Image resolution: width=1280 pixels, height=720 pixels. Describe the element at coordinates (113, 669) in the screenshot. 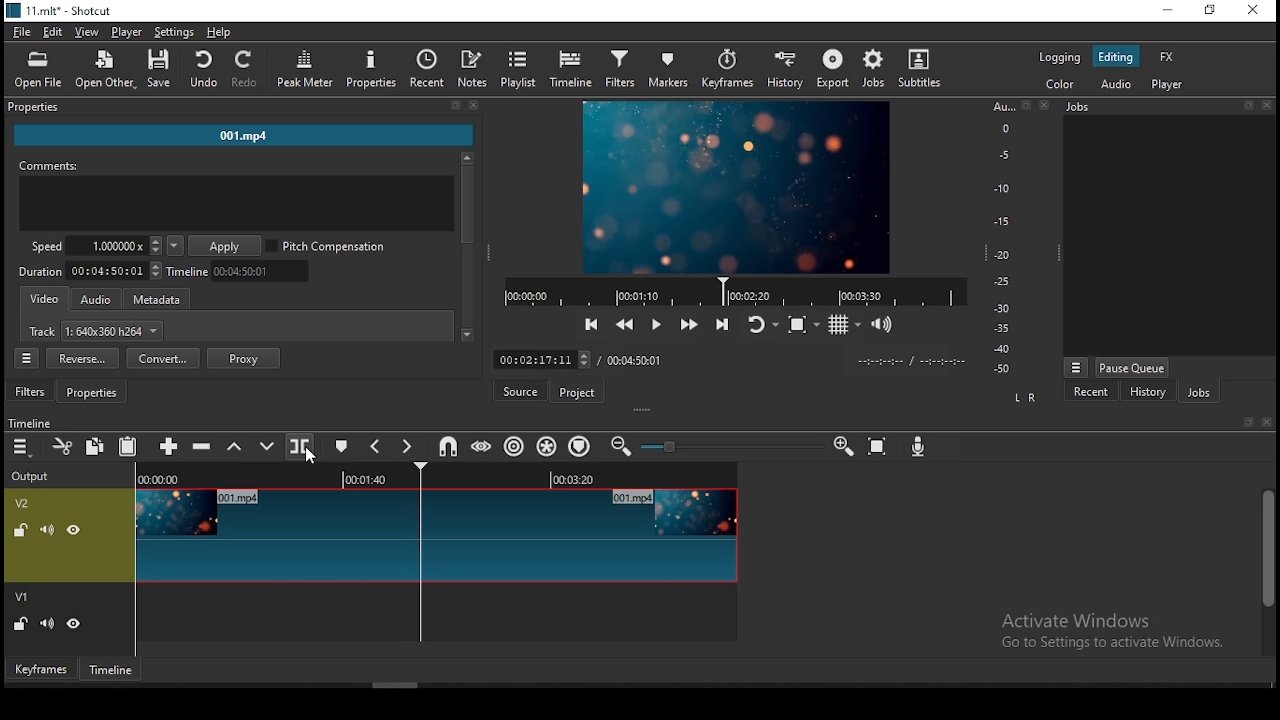

I see `timeline` at that location.